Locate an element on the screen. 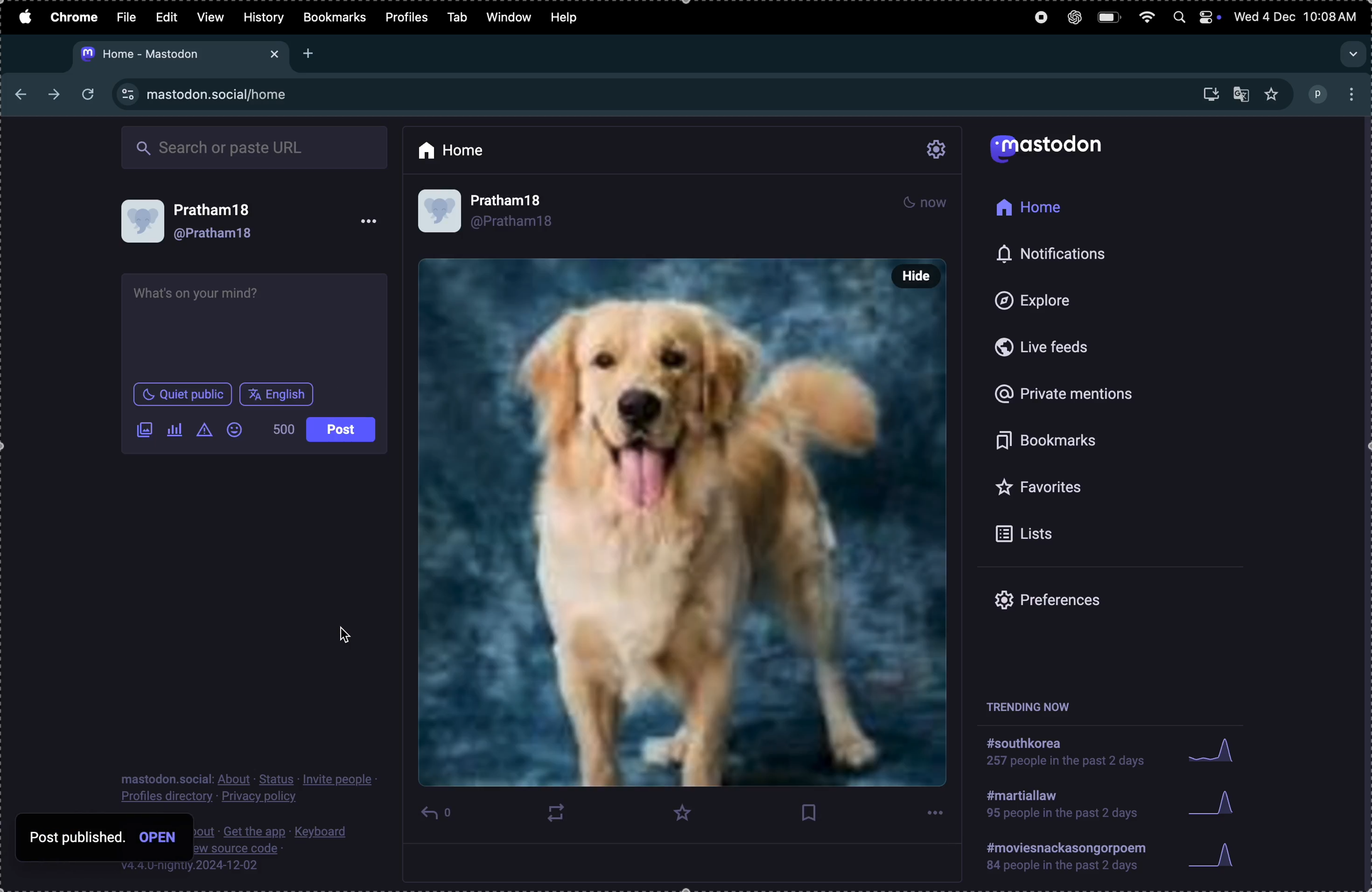 This screenshot has height=892, width=1372. quiet place is located at coordinates (183, 396).